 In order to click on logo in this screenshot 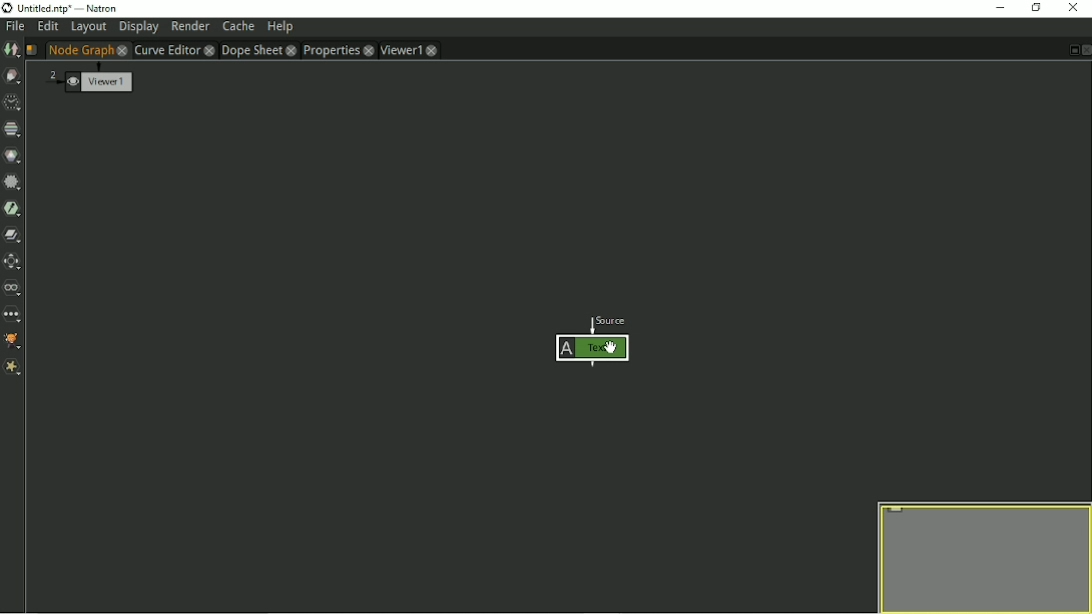, I will do `click(7, 9)`.